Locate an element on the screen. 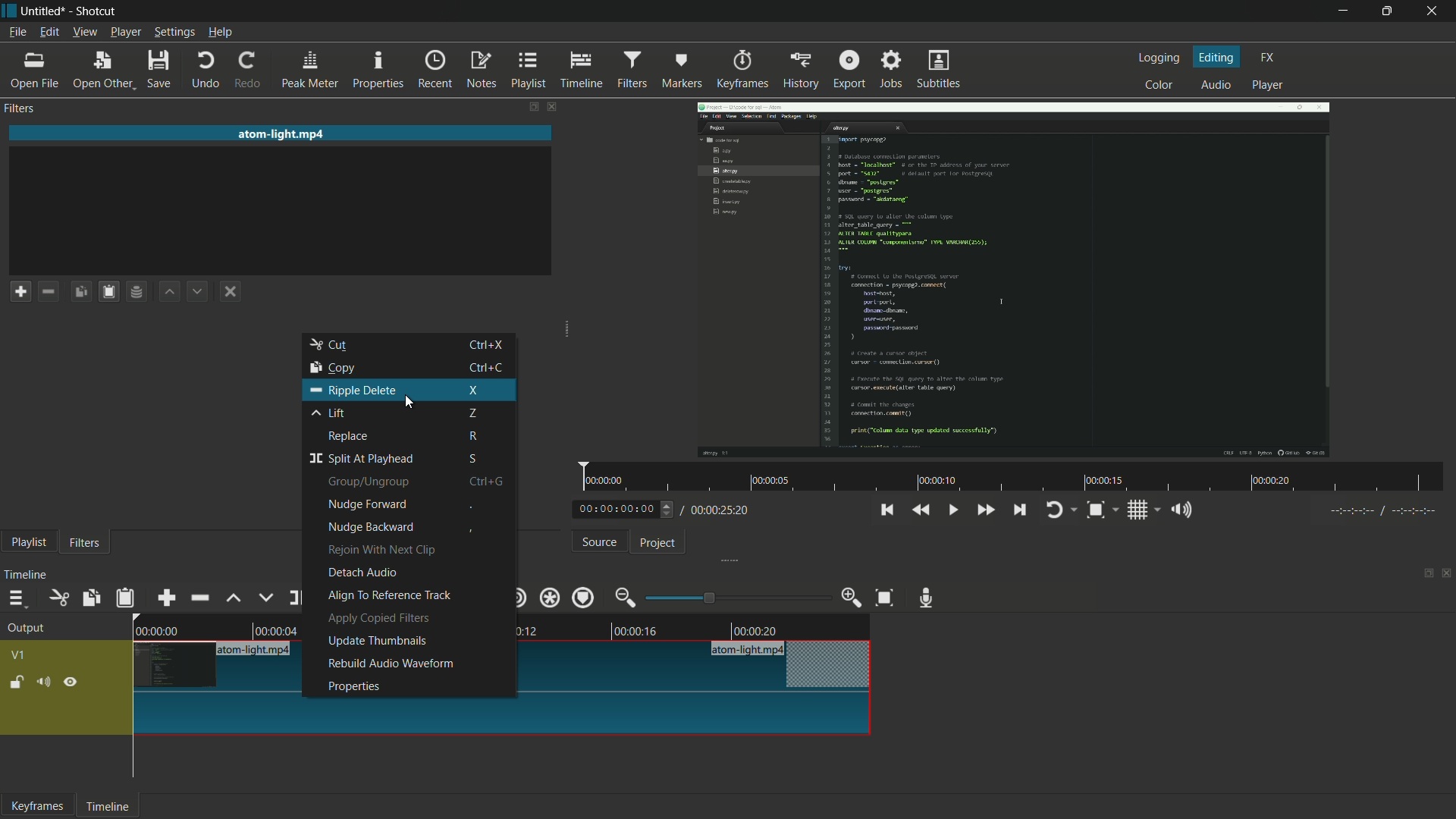  save filter set is located at coordinates (137, 290).